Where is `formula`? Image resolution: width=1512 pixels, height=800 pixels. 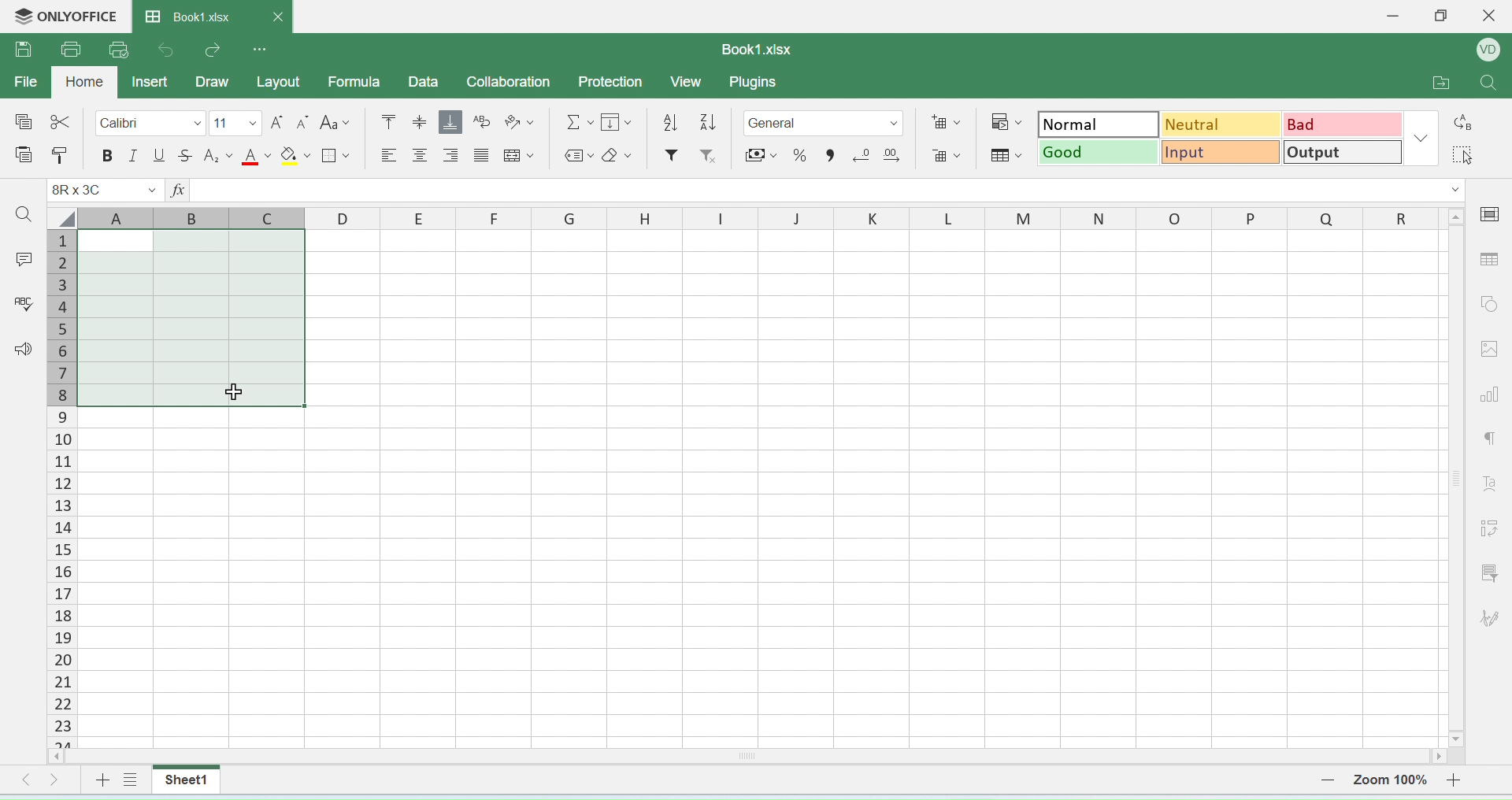 formula is located at coordinates (575, 123).